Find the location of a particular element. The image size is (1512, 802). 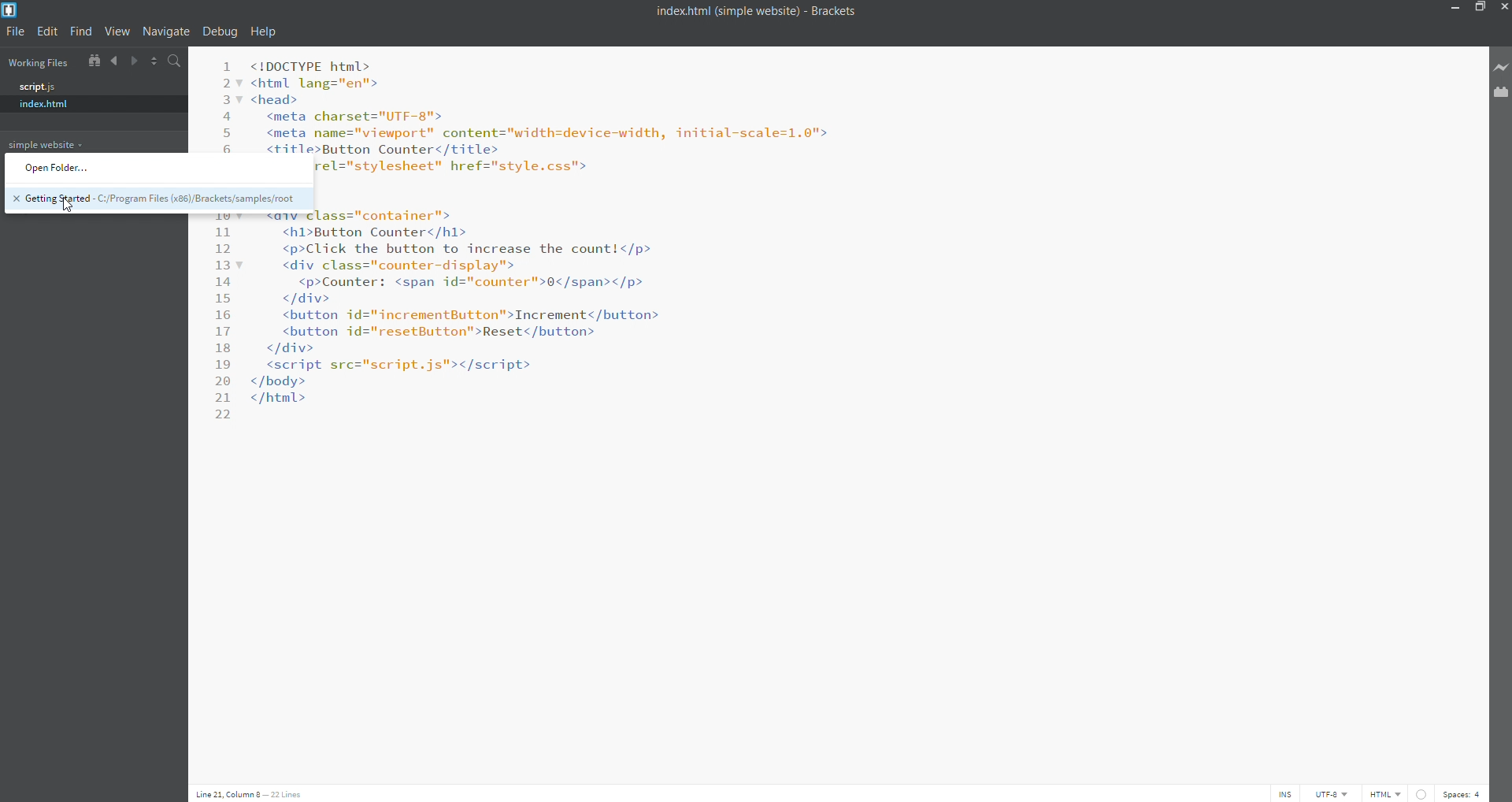

split horizontally/vertically is located at coordinates (154, 63).